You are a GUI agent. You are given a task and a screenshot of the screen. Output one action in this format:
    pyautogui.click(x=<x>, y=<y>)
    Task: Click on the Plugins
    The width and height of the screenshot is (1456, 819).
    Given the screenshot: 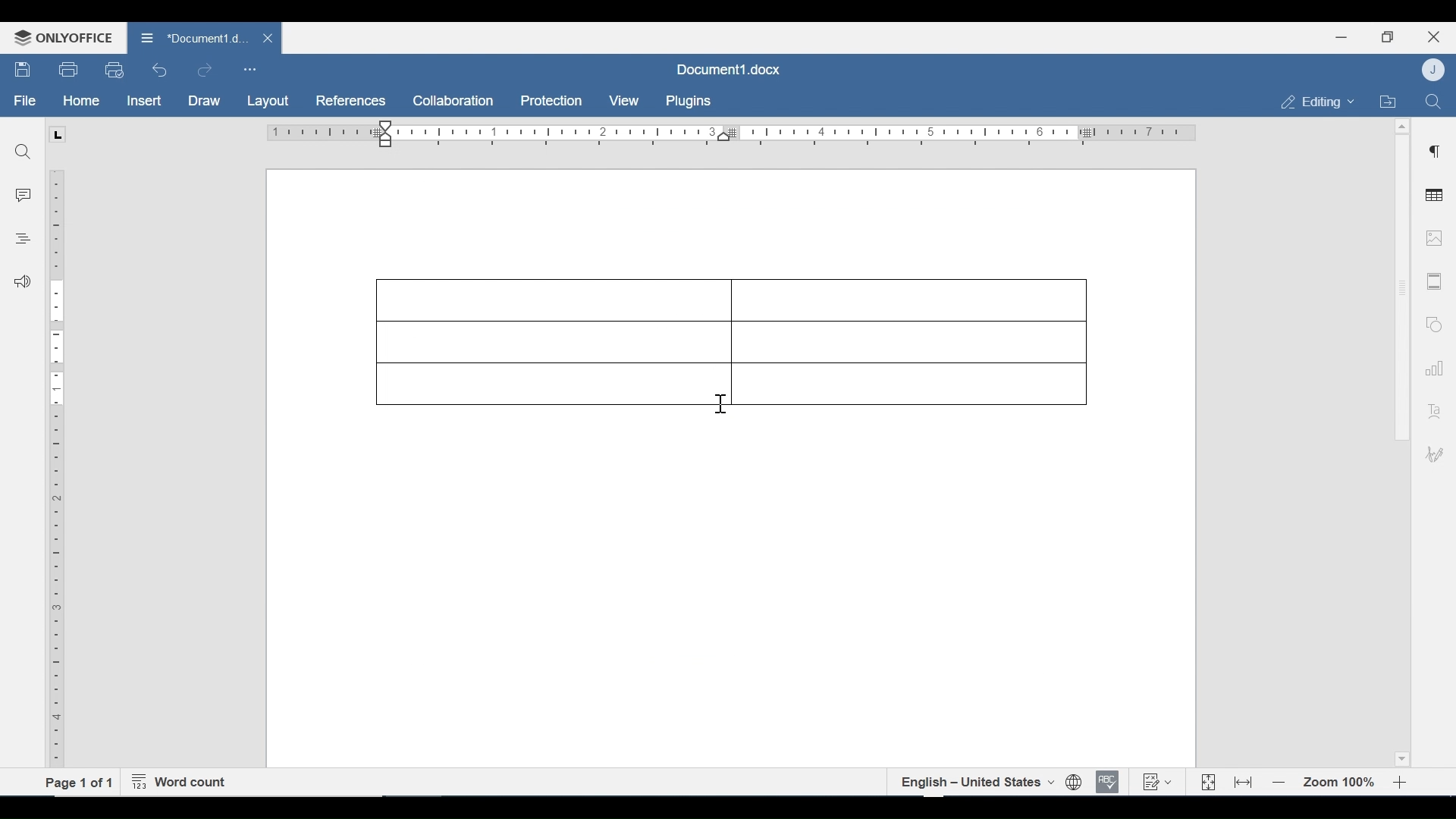 What is the action you would take?
    pyautogui.click(x=686, y=102)
    